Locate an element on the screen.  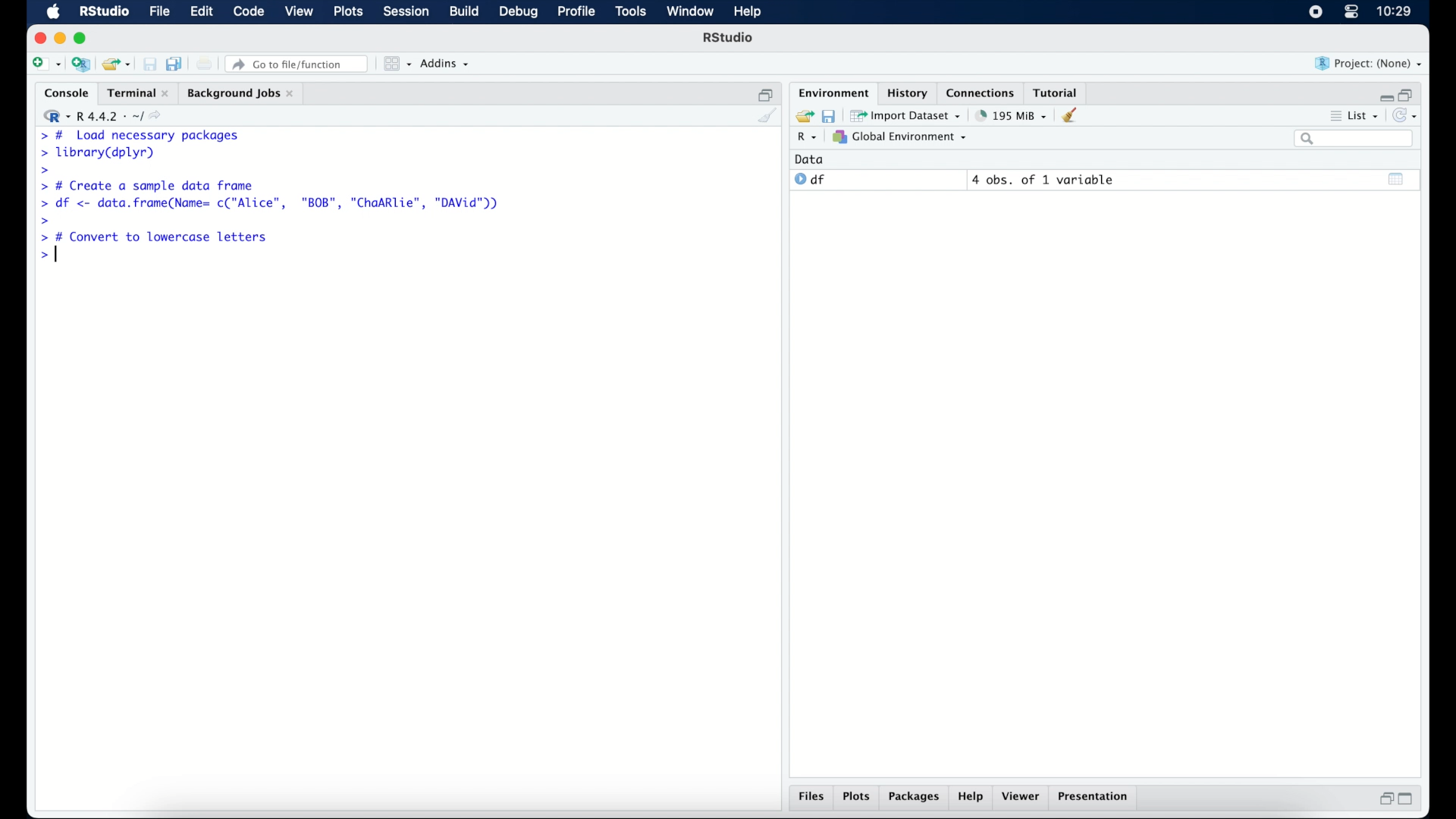
4 obs, of 2 variables is located at coordinates (1046, 180).